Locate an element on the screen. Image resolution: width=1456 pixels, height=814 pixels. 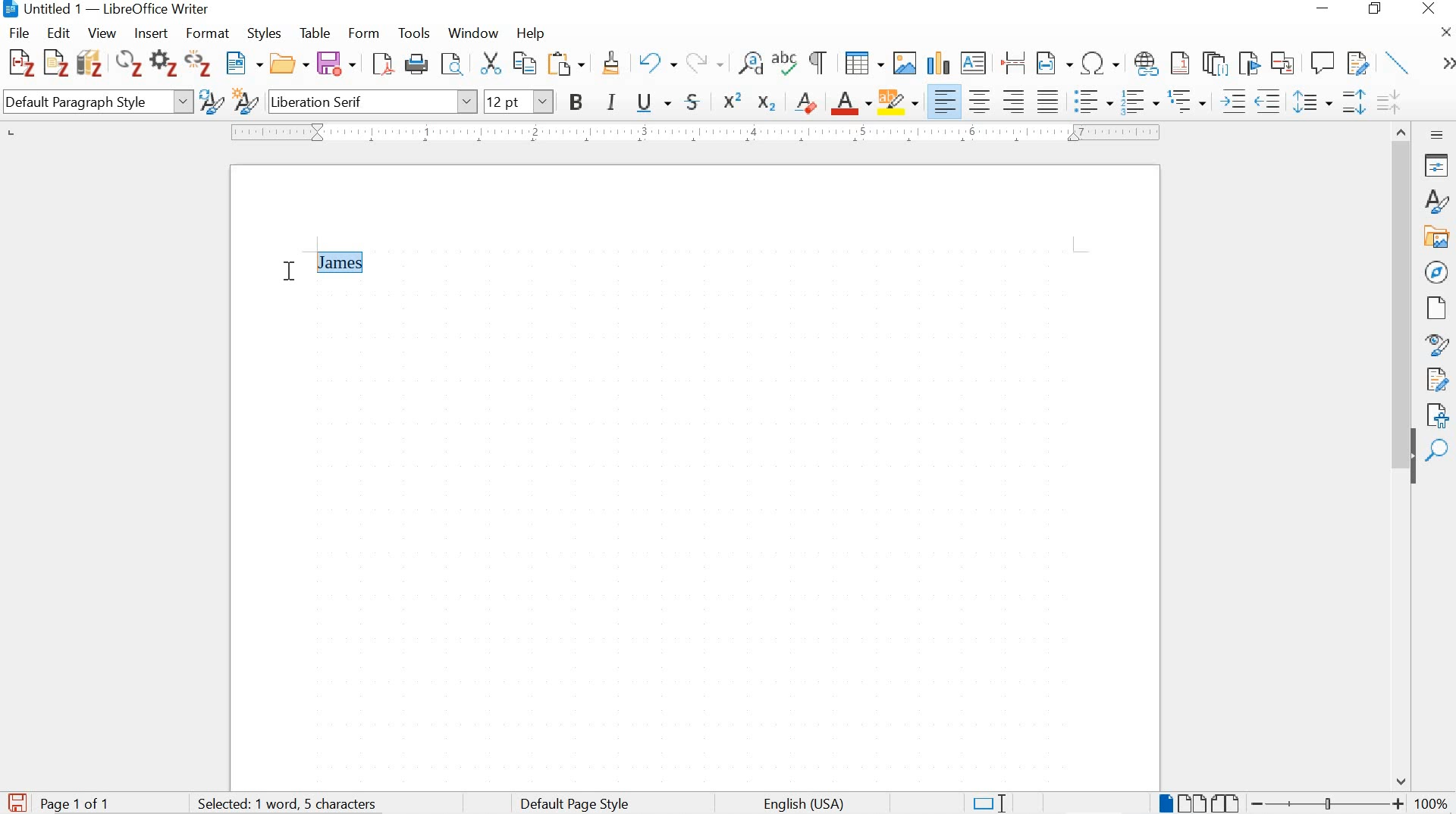
character highlighting color is located at coordinates (899, 101).